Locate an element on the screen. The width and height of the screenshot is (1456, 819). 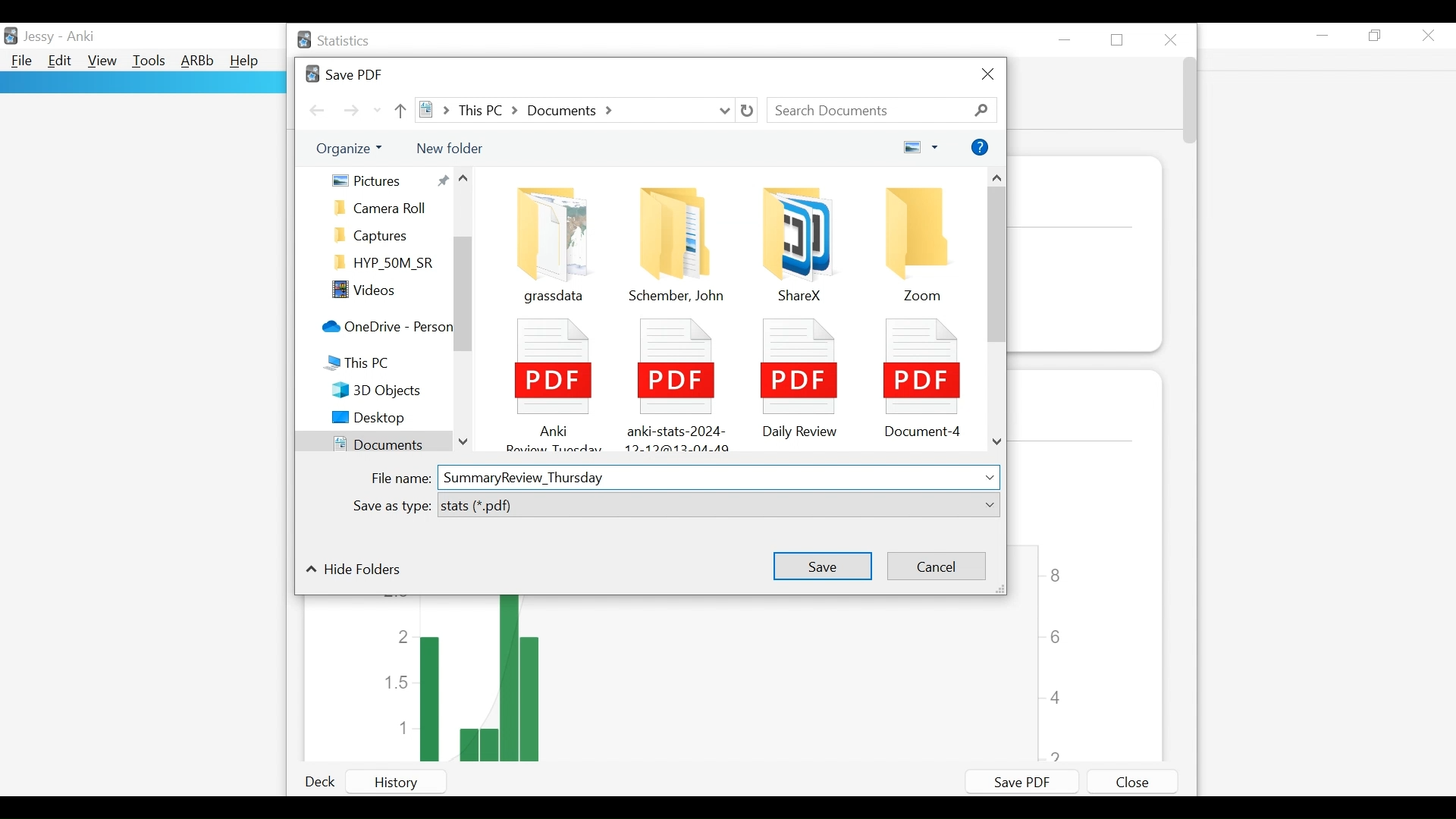
PDF is located at coordinates (921, 375).